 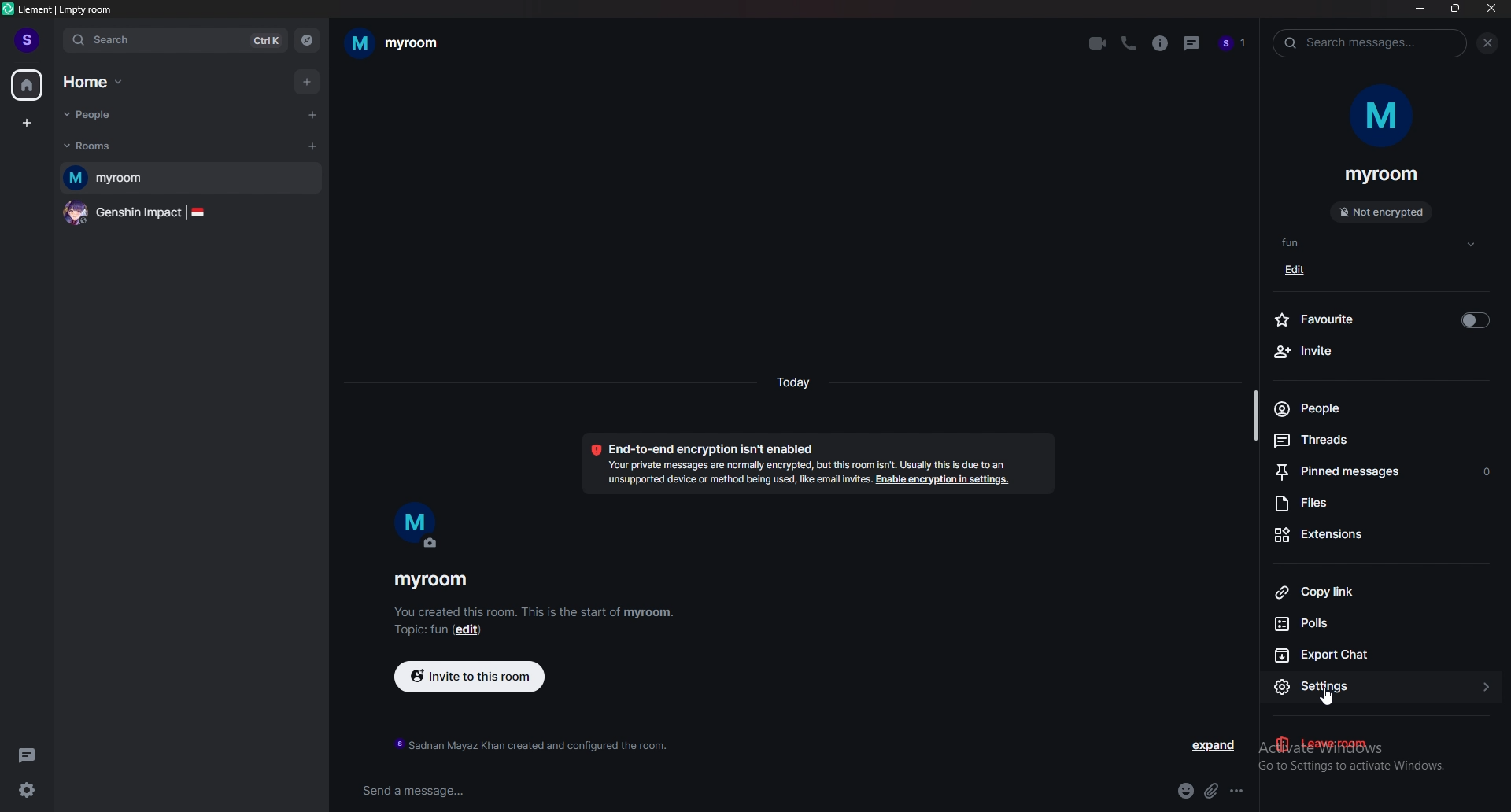 What do you see at coordinates (419, 631) in the screenshot?
I see `topic: fun` at bounding box center [419, 631].